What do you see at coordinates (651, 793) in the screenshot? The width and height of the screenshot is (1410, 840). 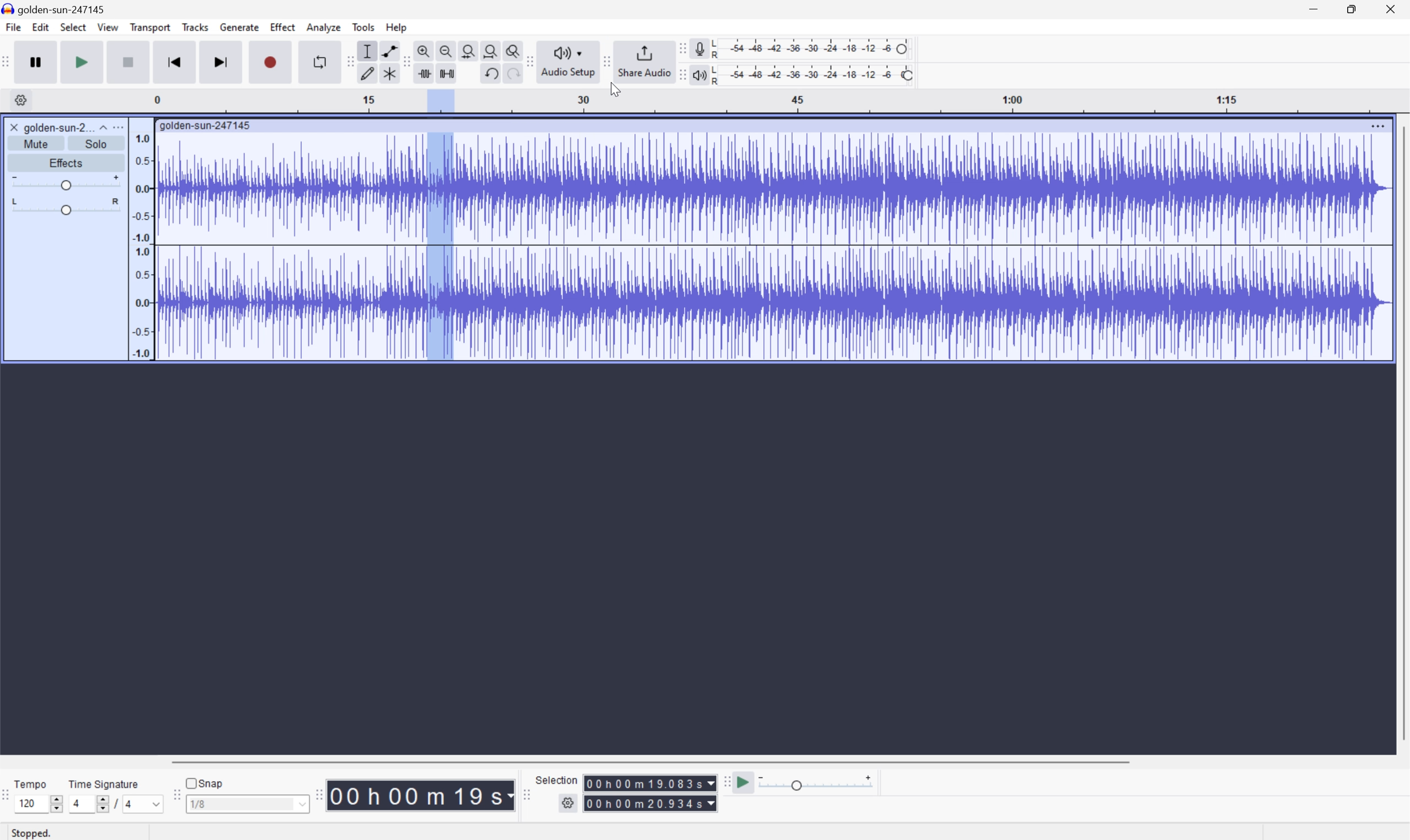 I see `Selection` at bounding box center [651, 793].